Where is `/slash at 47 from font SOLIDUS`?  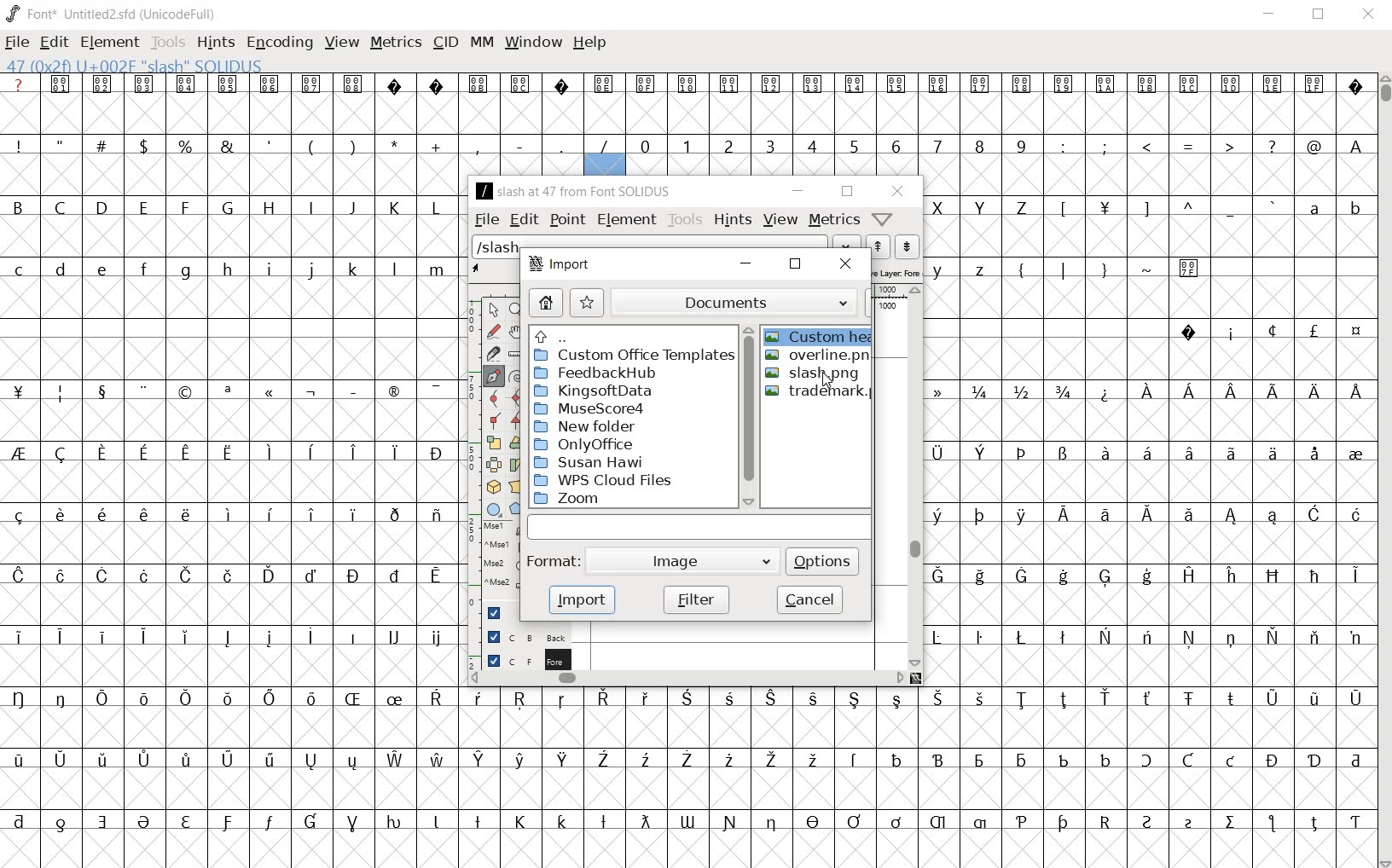
/slash at 47 from font SOLIDUS is located at coordinates (573, 191).